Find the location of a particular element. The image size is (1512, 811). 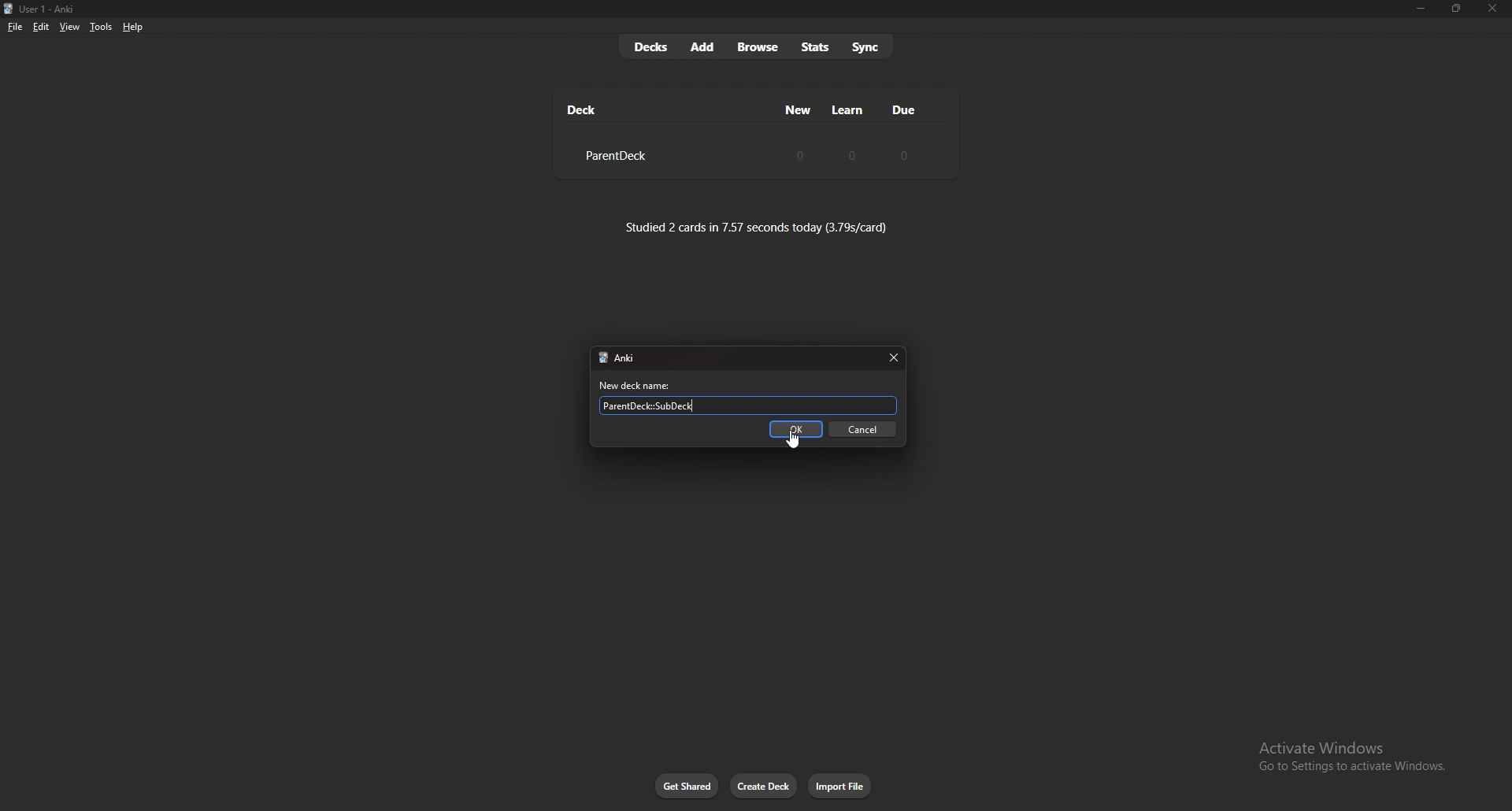

deck settings is located at coordinates (932, 154).